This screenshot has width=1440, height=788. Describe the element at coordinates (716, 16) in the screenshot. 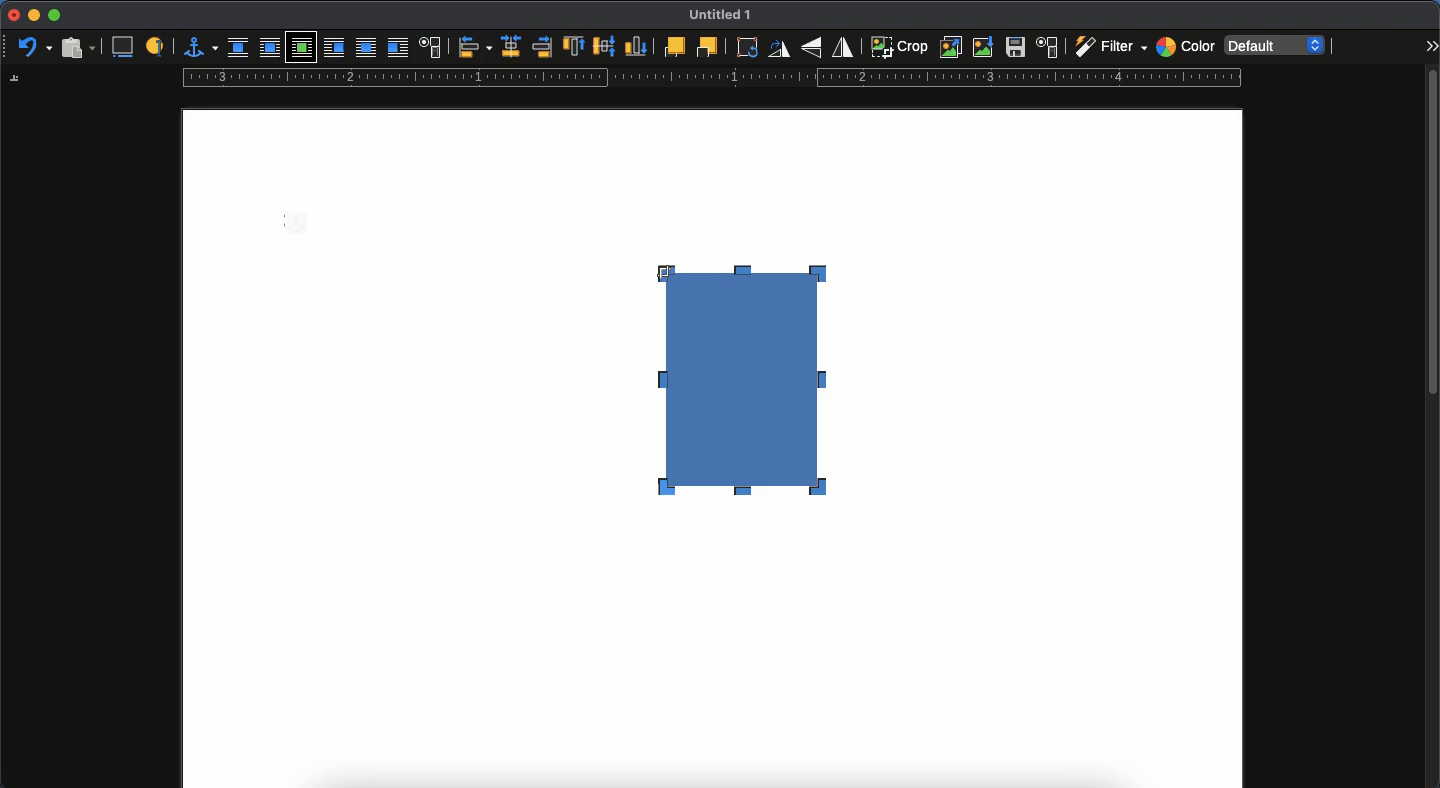

I see `untitled` at that location.